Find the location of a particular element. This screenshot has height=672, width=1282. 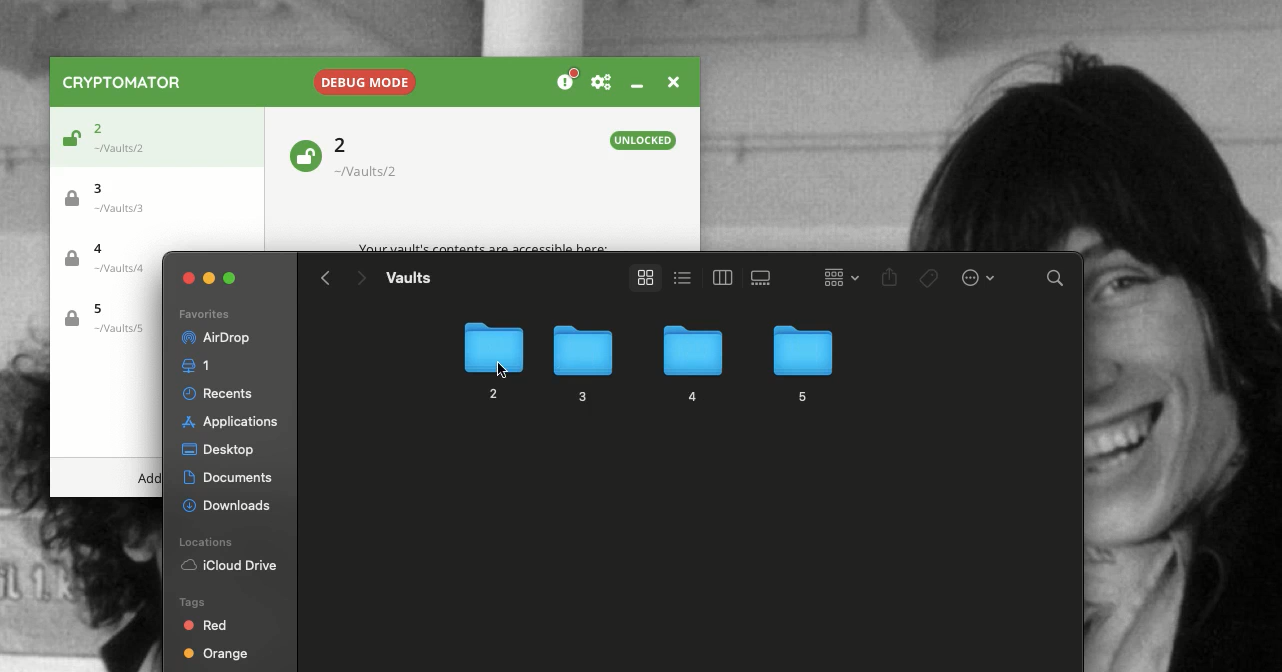

Grid view is located at coordinates (836, 276).